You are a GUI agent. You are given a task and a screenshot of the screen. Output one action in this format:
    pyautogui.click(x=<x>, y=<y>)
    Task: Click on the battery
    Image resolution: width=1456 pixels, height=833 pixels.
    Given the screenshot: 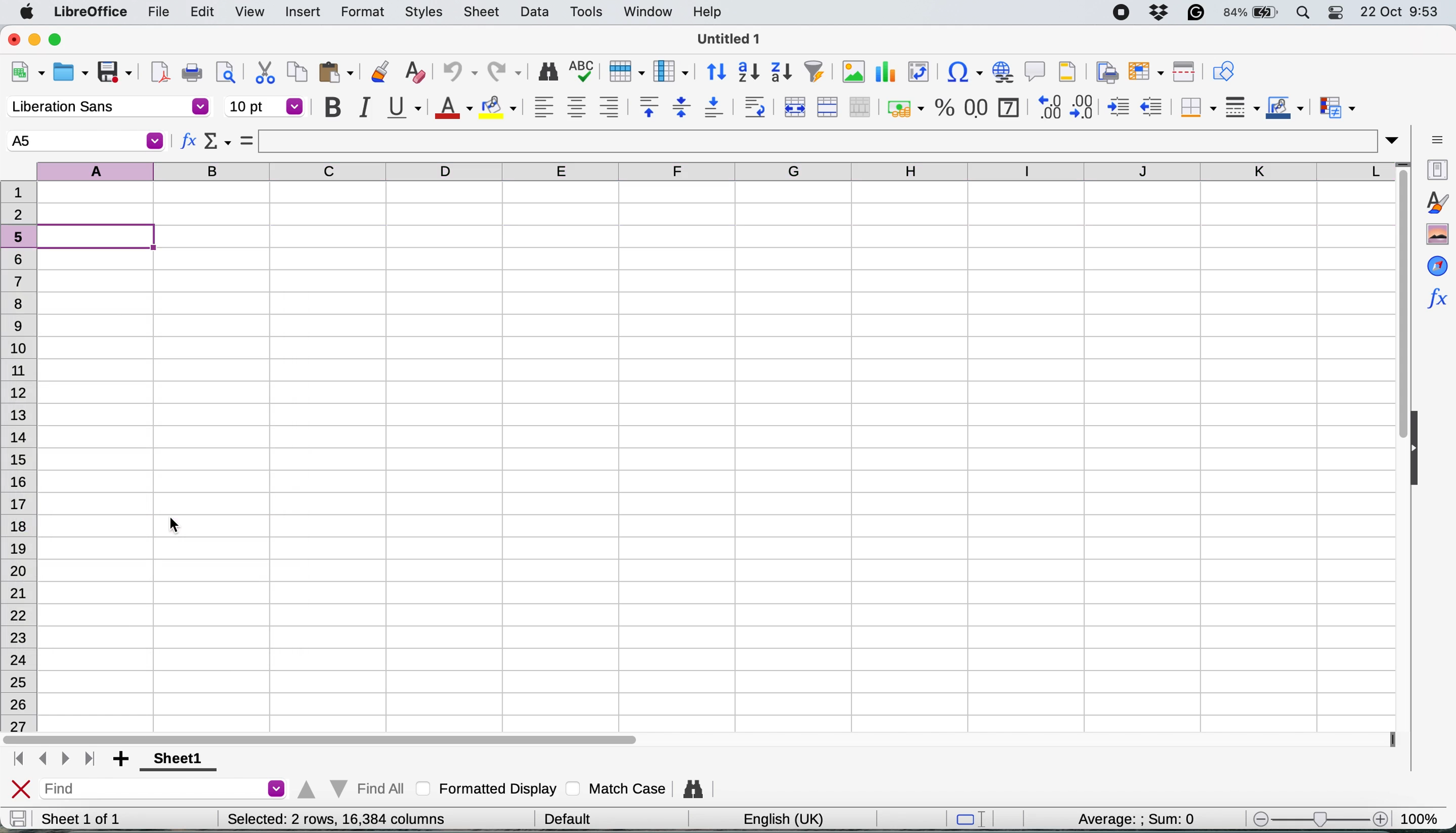 What is the action you would take?
    pyautogui.click(x=1252, y=13)
    